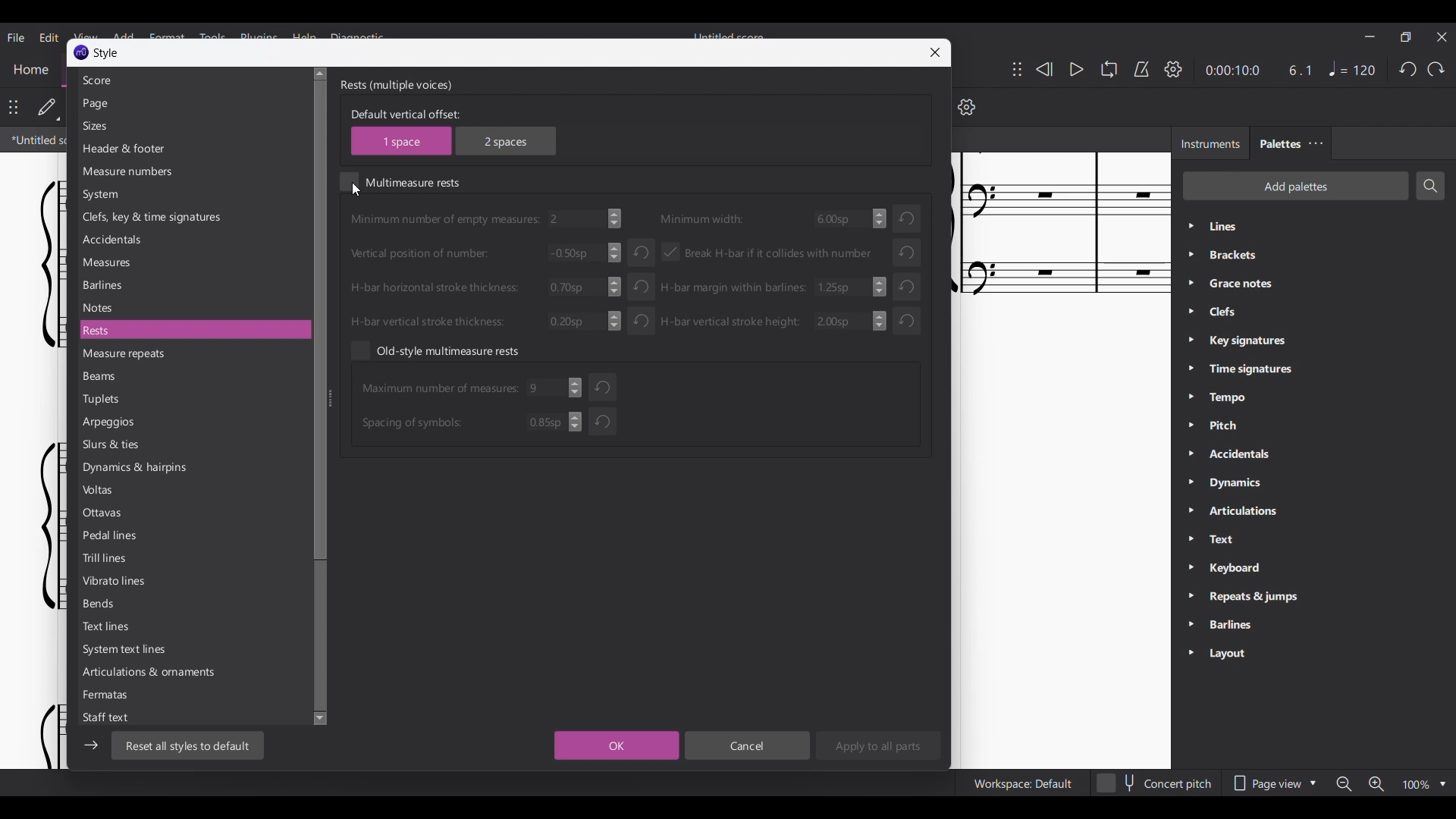 The image size is (1456, 819). I want to click on Playback settings, so click(1174, 68).